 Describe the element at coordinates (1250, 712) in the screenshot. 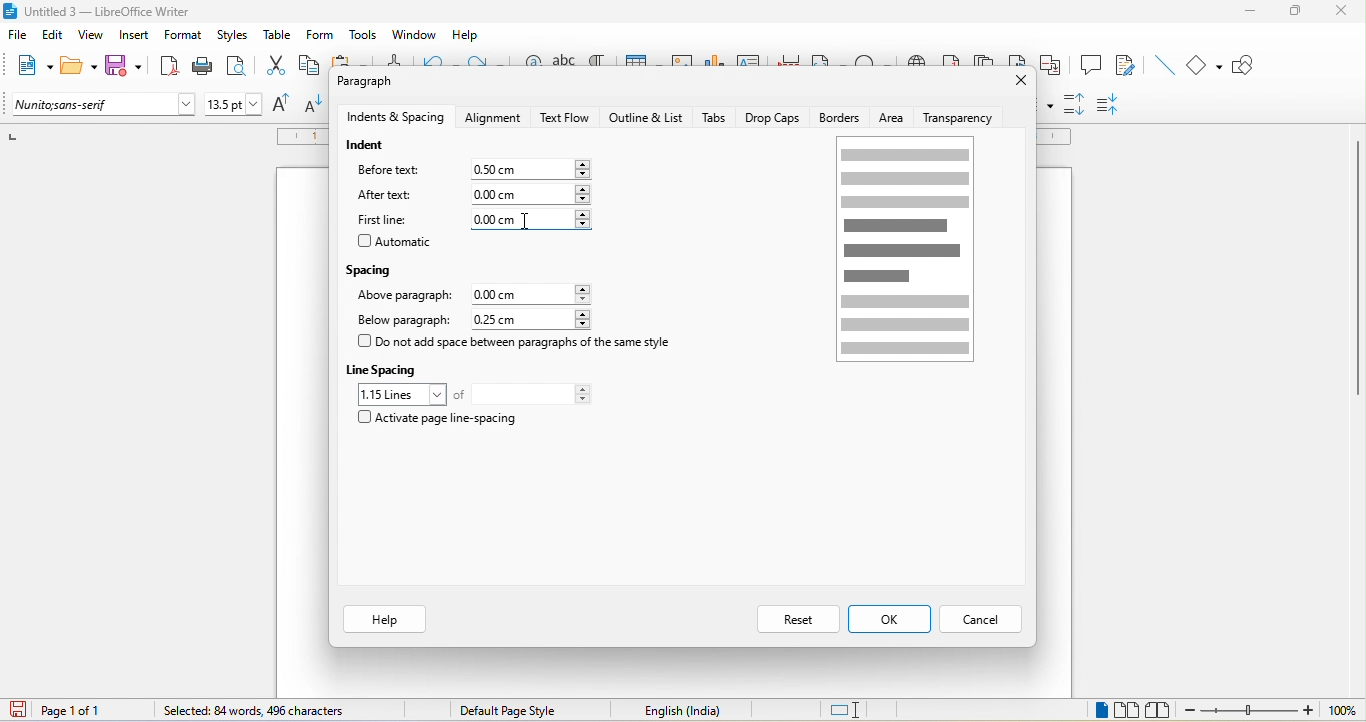

I see `zoom` at that location.